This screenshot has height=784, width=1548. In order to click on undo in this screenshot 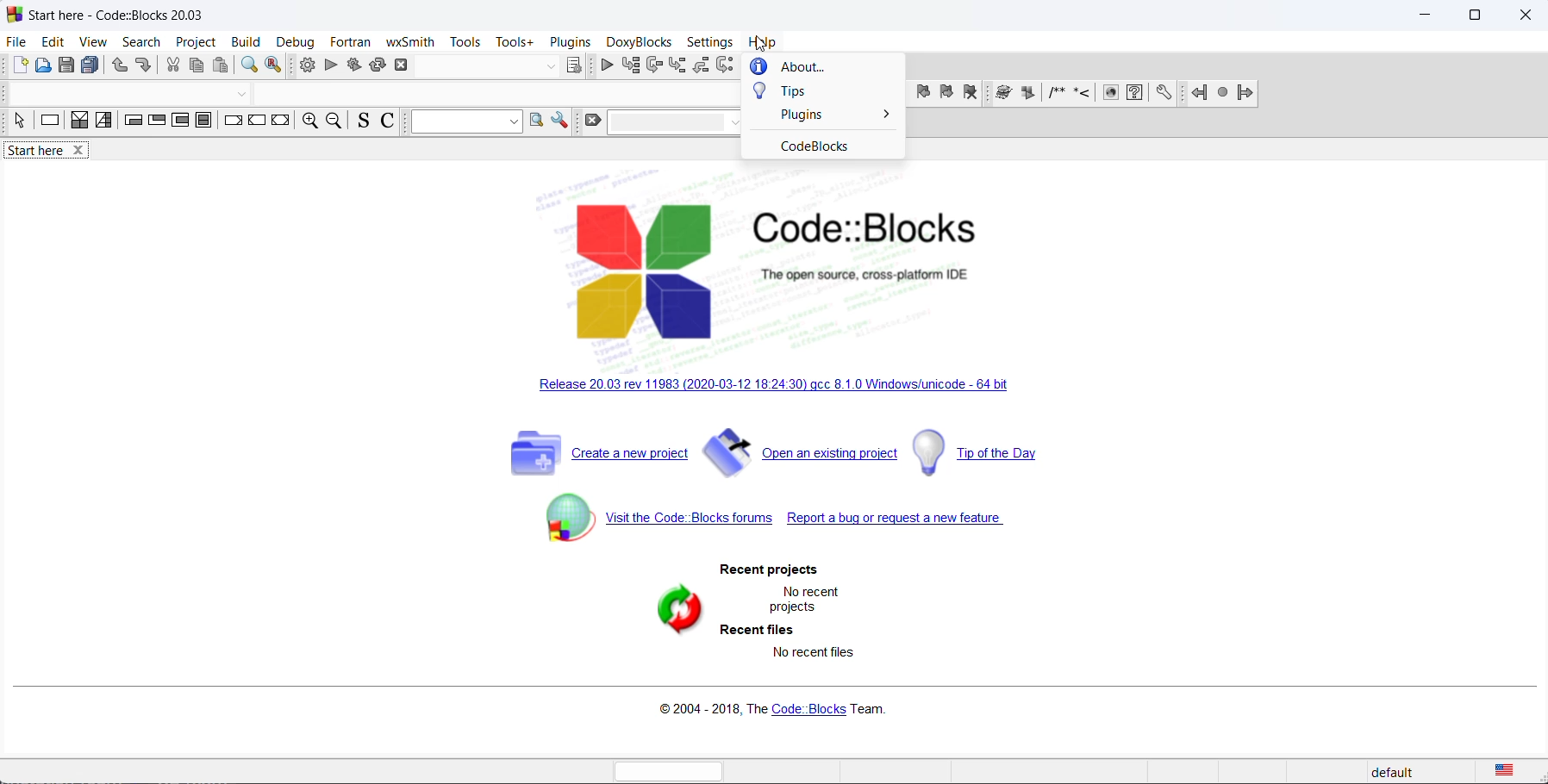, I will do `click(121, 65)`.